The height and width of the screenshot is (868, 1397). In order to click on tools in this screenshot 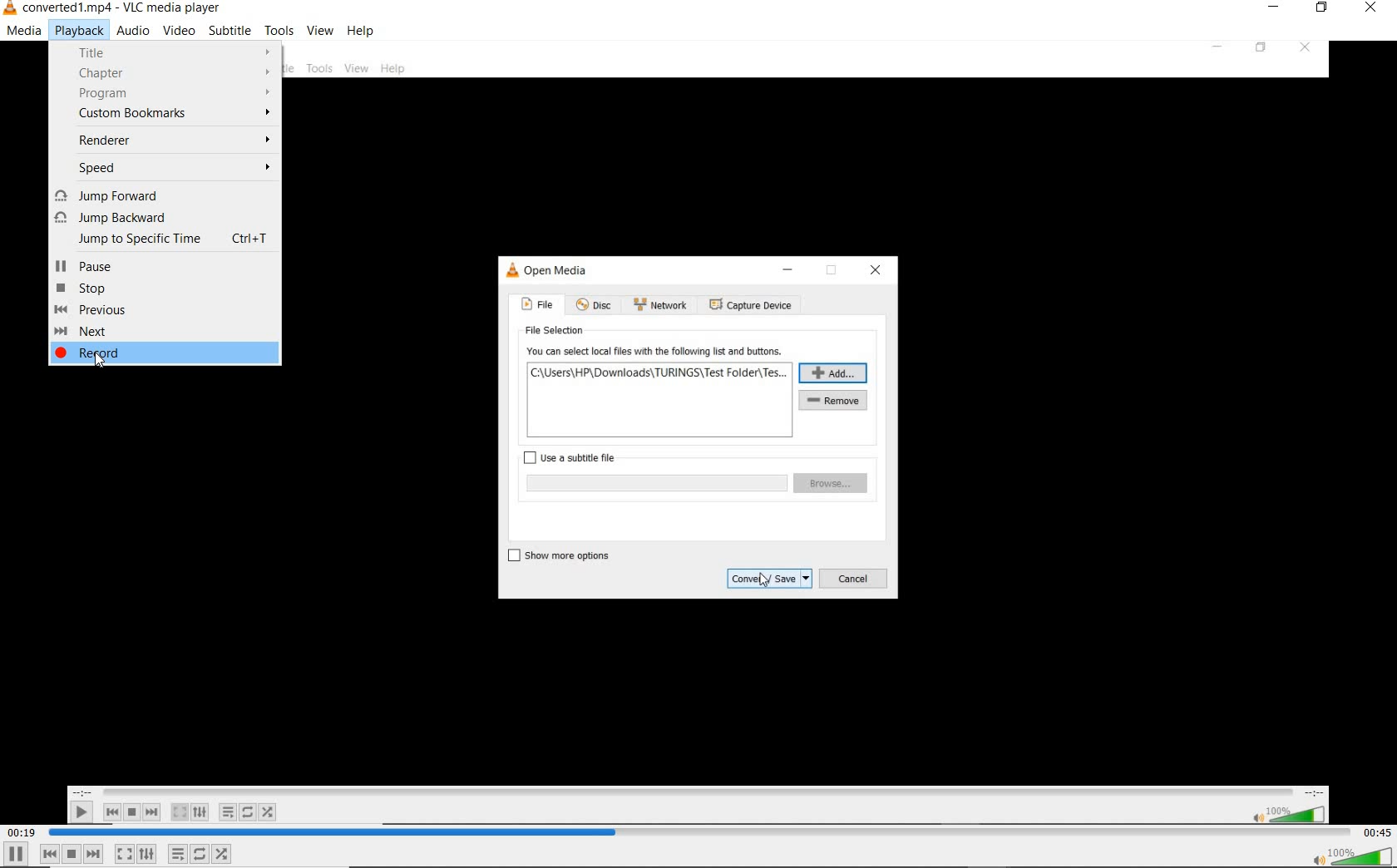, I will do `click(279, 29)`.